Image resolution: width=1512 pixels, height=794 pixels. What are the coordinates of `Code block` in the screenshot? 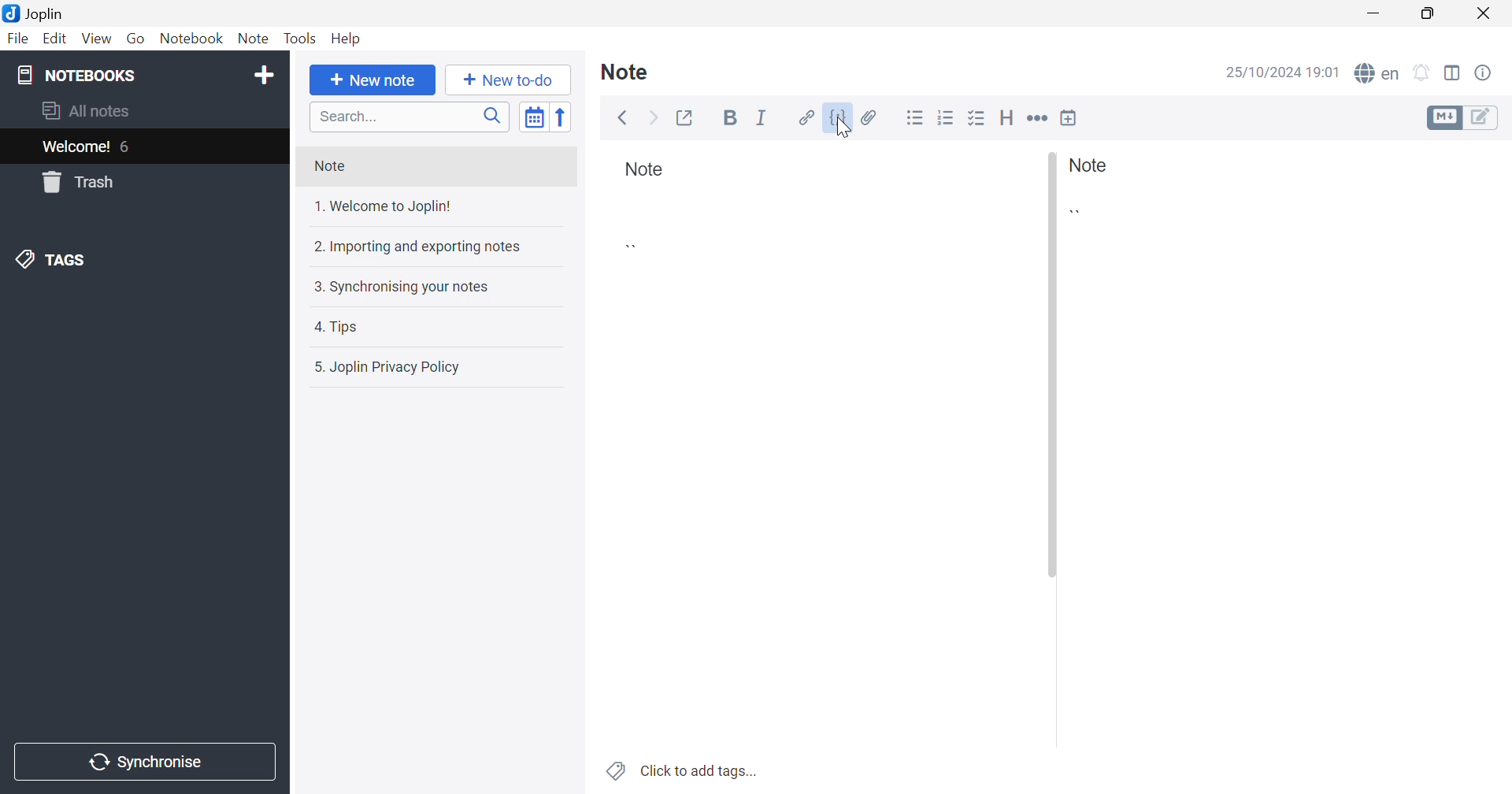 It's located at (1079, 216).